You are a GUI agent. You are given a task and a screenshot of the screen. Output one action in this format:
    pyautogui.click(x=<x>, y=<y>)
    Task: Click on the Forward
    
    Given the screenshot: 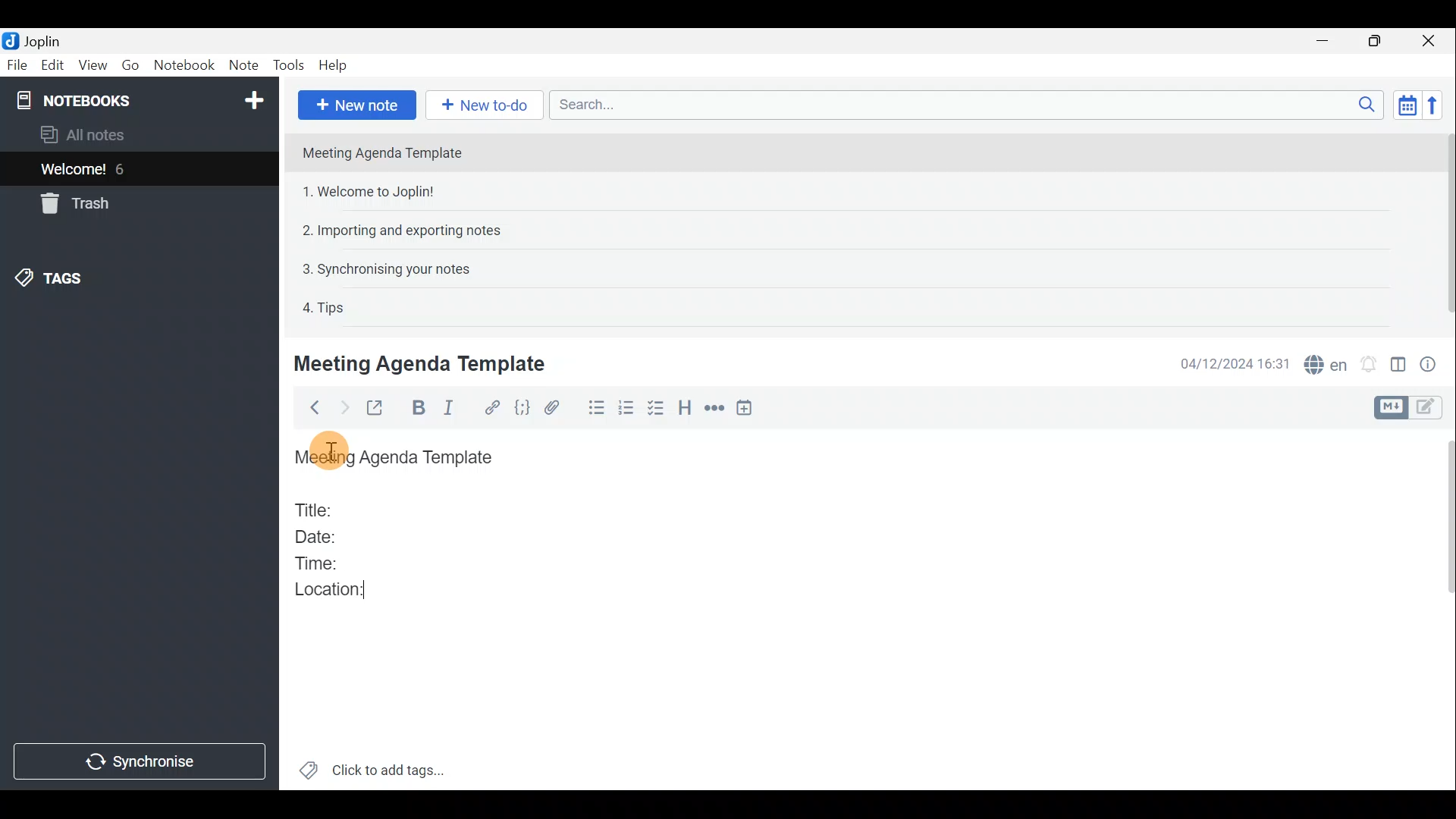 What is the action you would take?
    pyautogui.click(x=342, y=407)
    